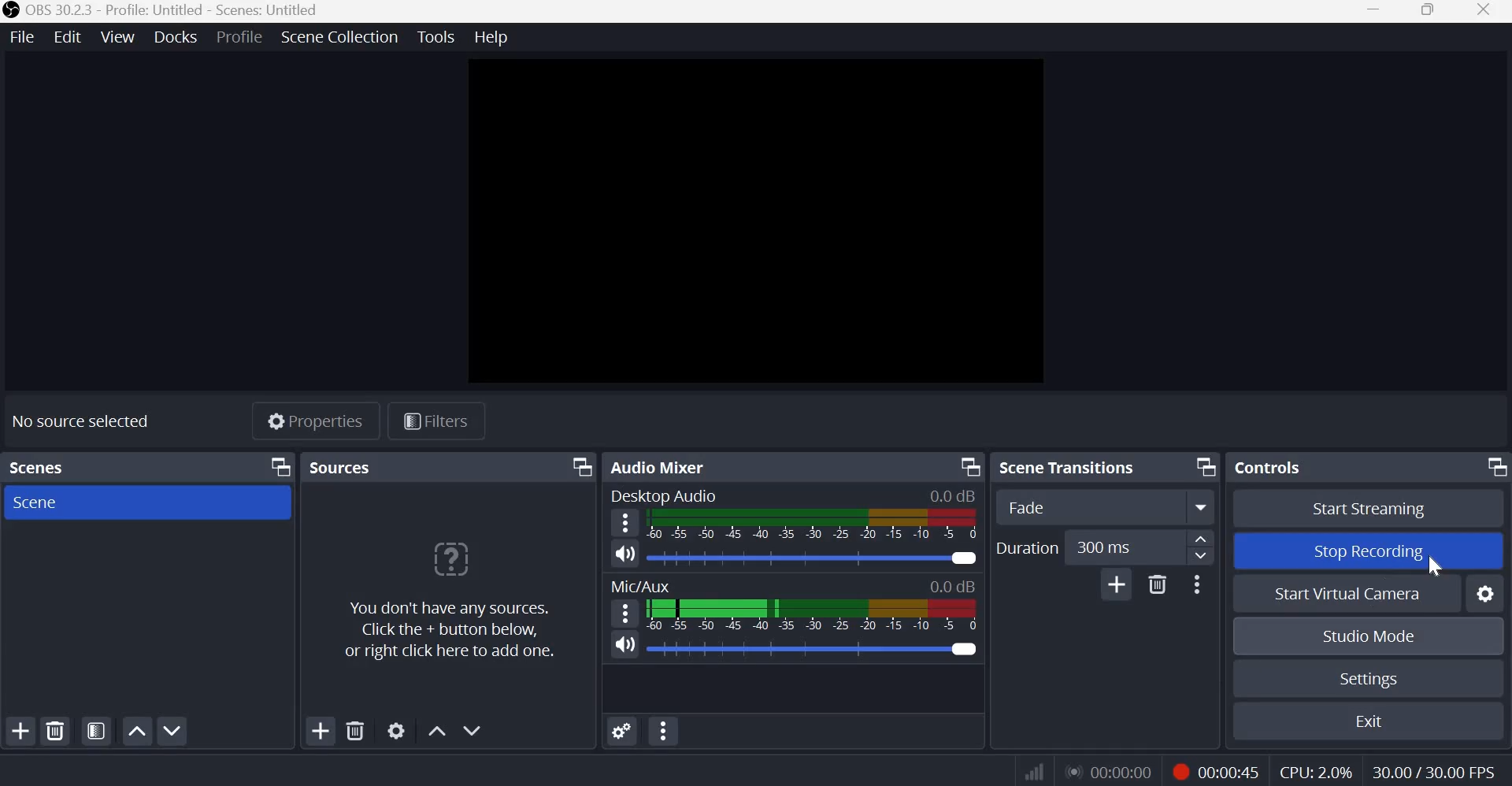 The width and height of the screenshot is (1512, 786). Describe the element at coordinates (68, 39) in the screenshot. I see `Edit` at that location.